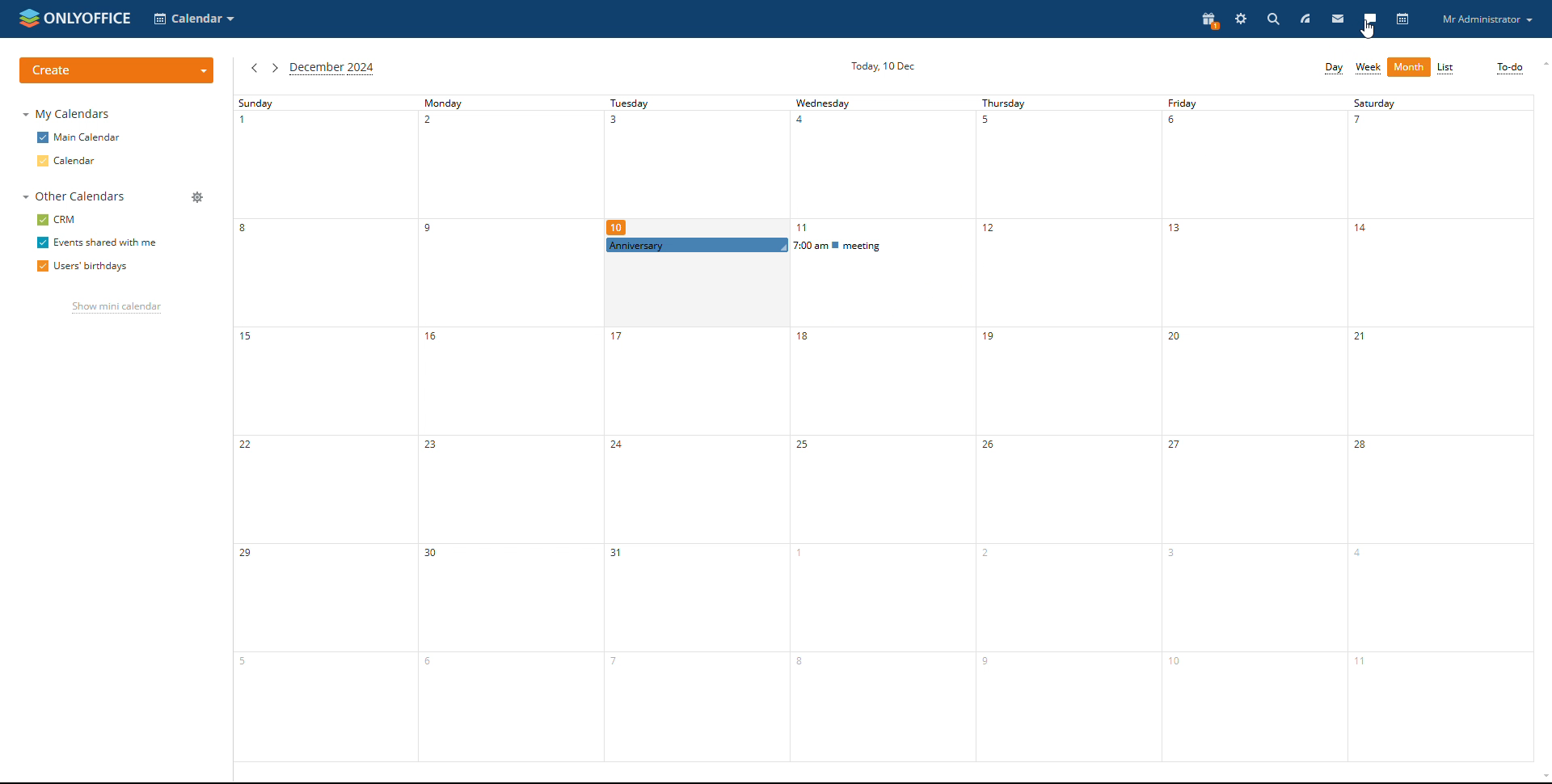 The width and height of the screenshot is (1552, 784). What do you see at coordinates (883, 156) in the screenshot?
I see `wednesday` at bounding box center [883, 156].